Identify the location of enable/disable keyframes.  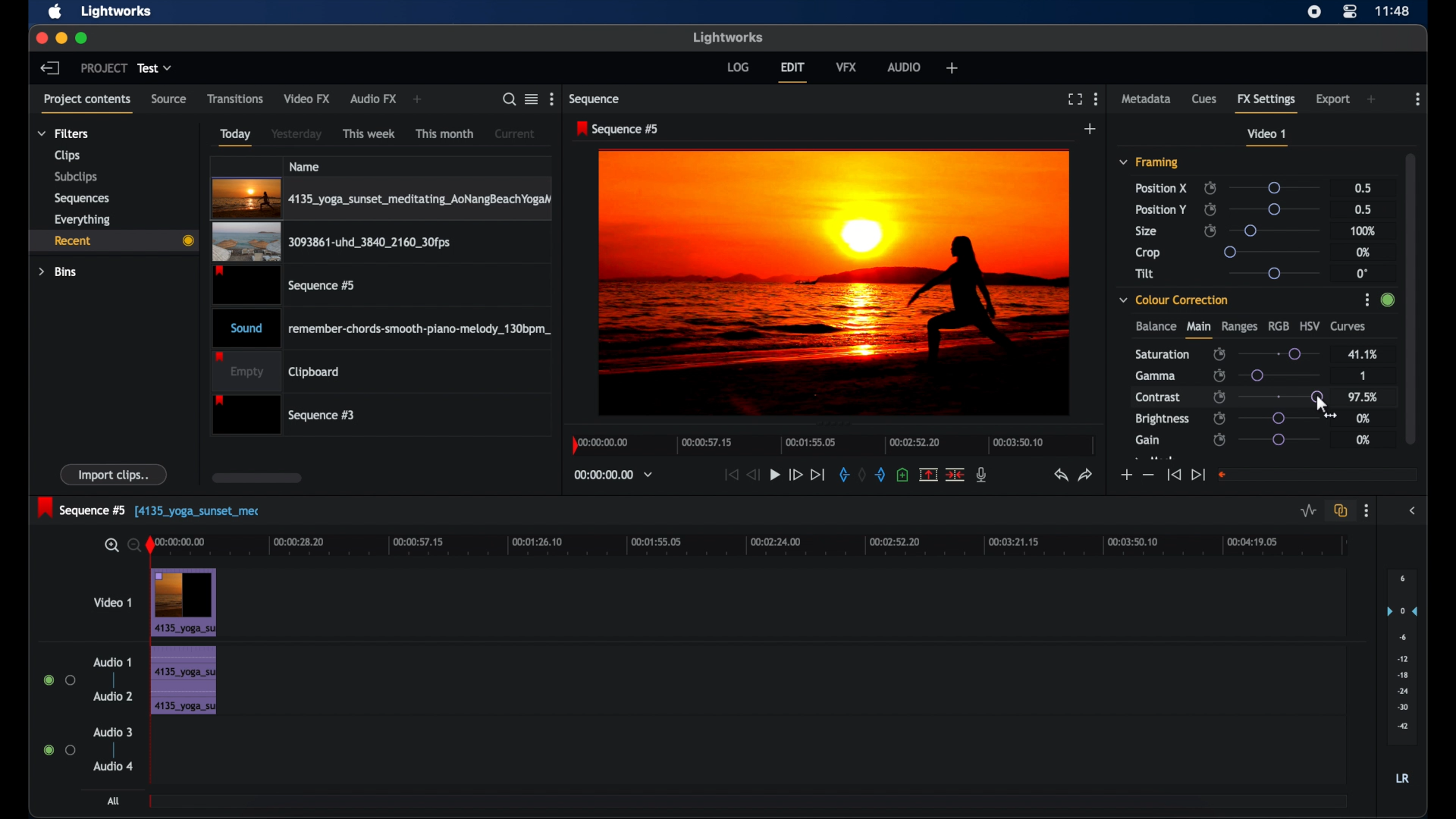
(1210, 231).